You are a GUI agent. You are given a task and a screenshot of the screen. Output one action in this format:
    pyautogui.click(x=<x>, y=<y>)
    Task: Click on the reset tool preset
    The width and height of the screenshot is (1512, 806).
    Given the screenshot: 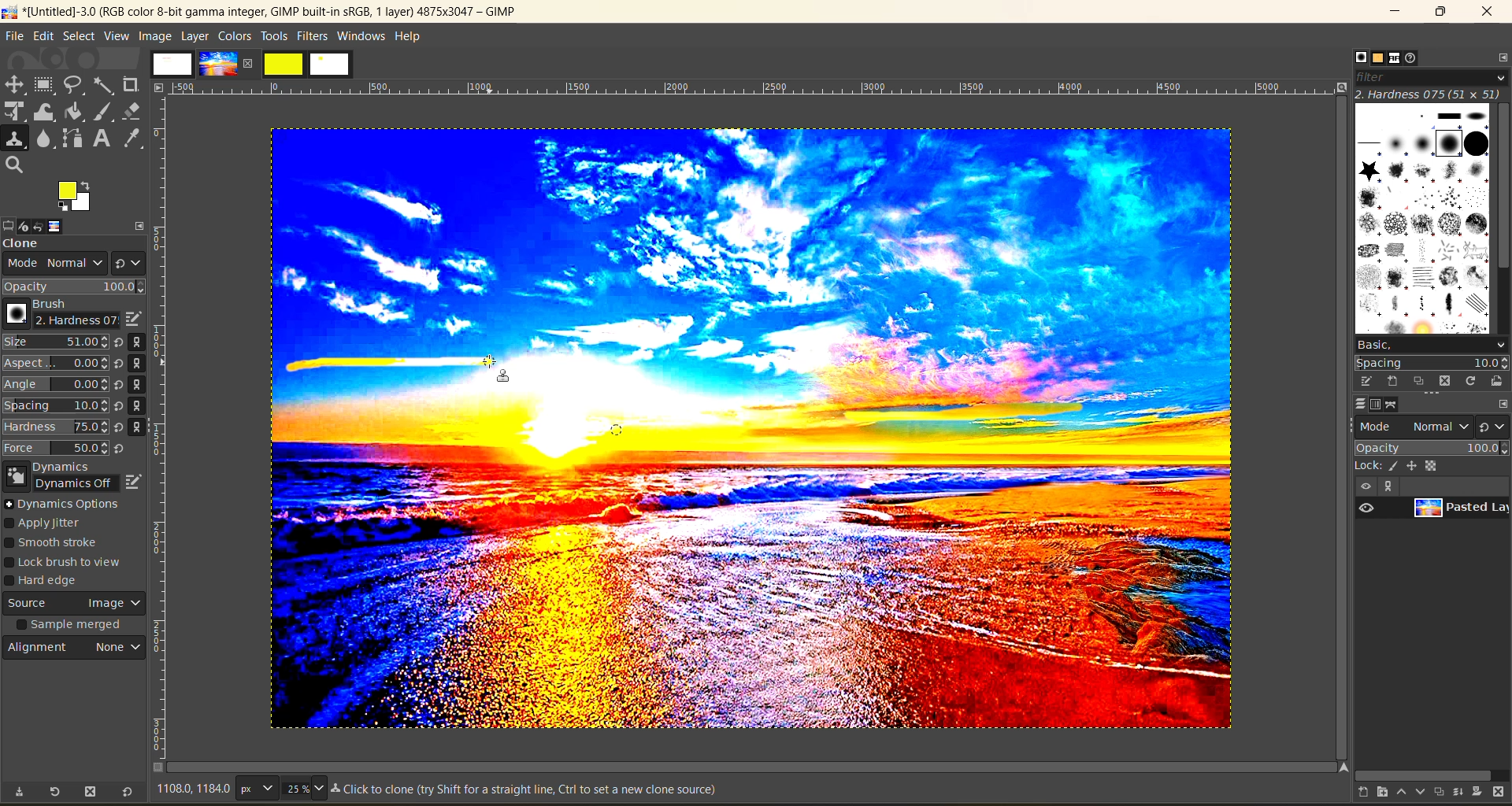 What is the action you would take?
    pyautogui.click(x=55, y=791)
    